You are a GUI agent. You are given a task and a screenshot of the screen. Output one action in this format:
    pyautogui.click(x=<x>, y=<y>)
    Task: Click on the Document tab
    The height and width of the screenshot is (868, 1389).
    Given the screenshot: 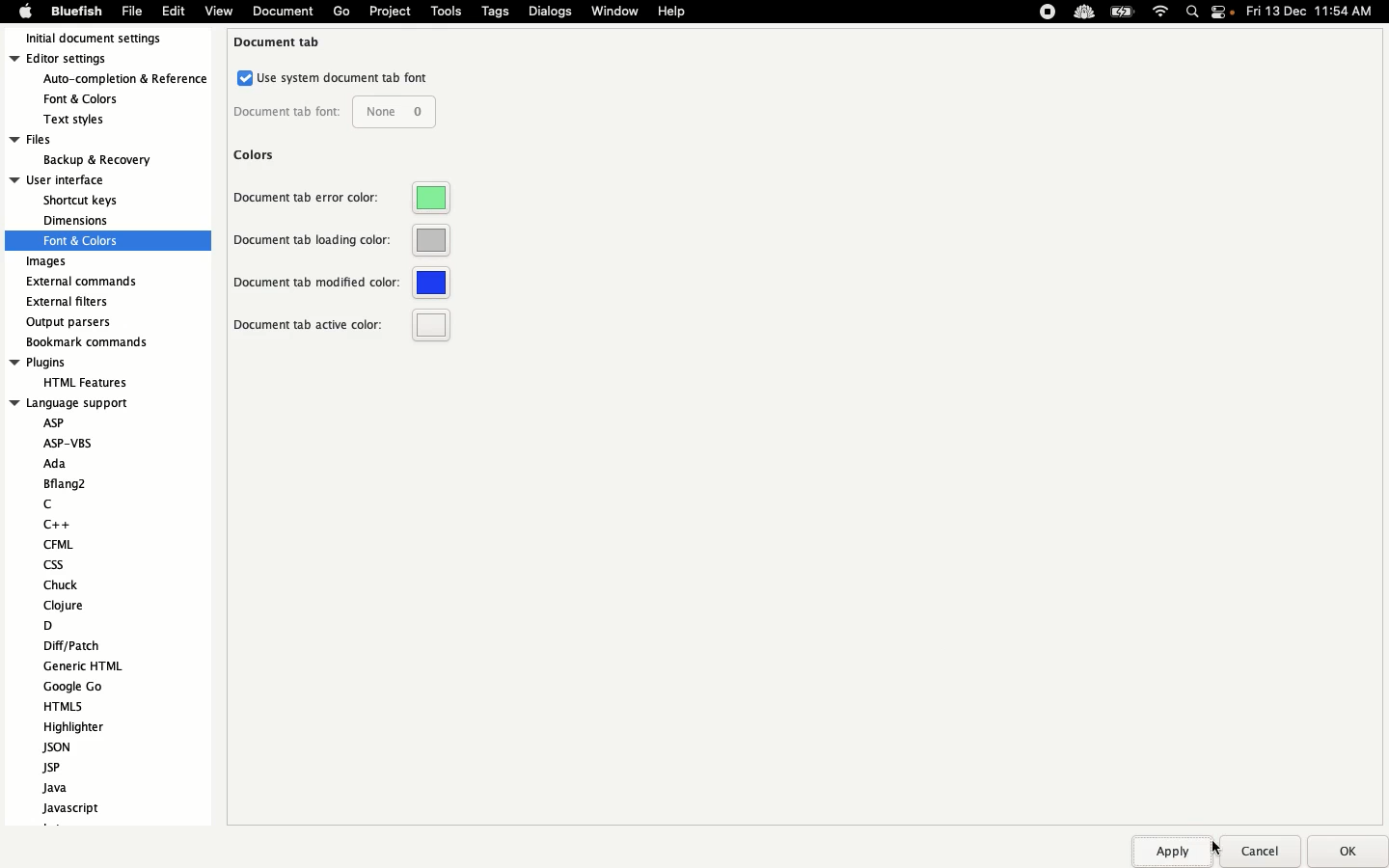 What is the action you would take?
    pyautogui.click(x=280, y=42)
    